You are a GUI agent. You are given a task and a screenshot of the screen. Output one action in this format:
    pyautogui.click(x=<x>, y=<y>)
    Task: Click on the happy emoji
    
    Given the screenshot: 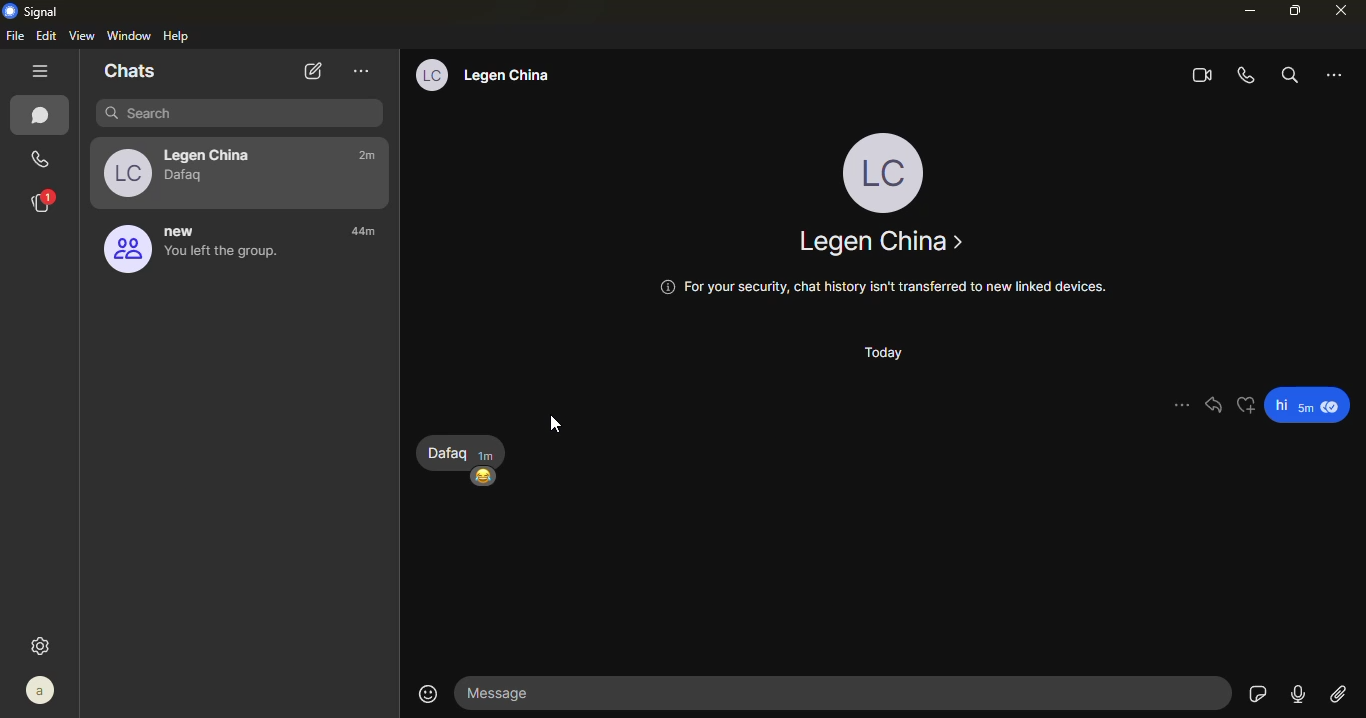 What is the action you would take?
    pyautogui.click(x=486, y=476)
    